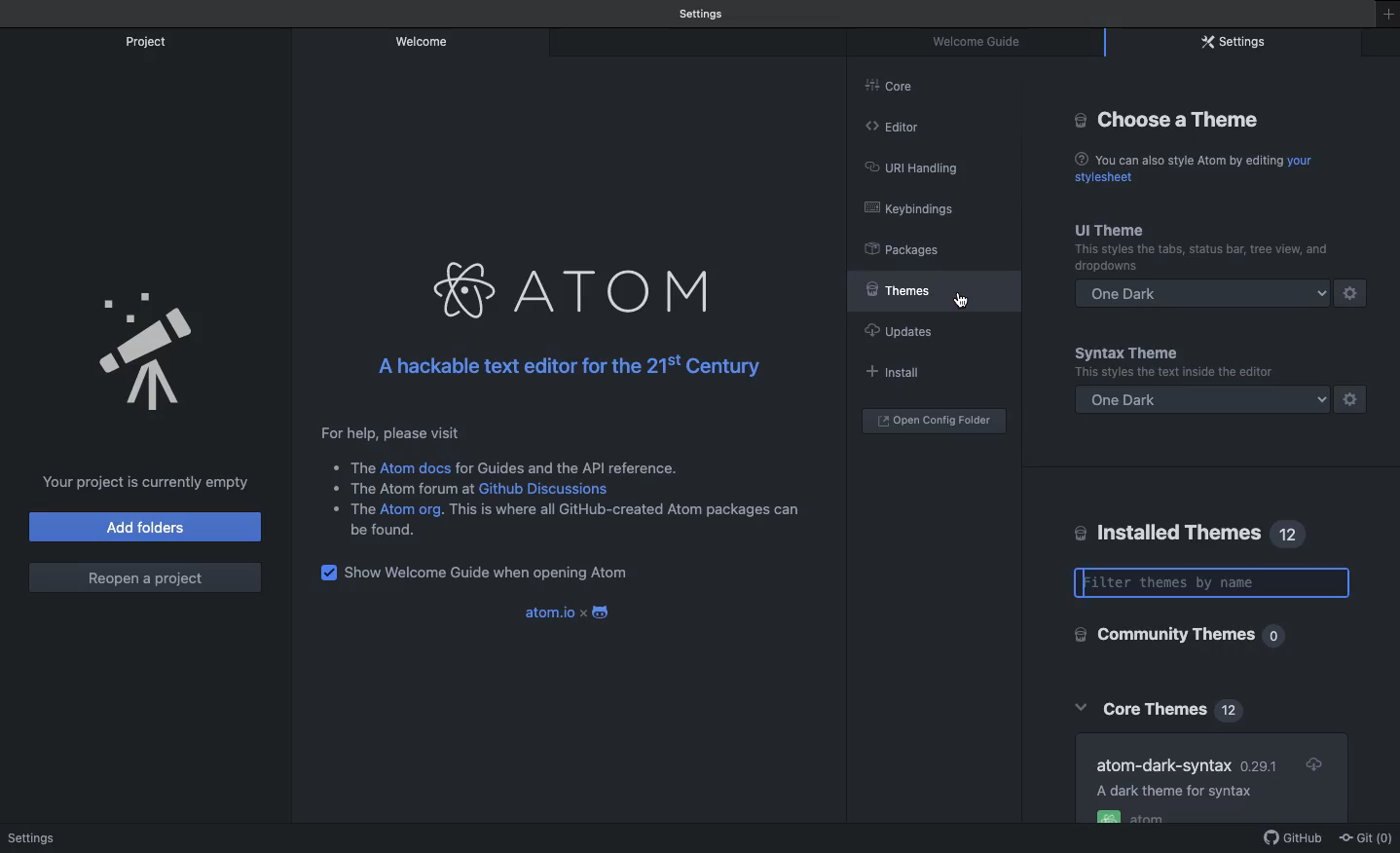  I want to click on Selected, so click(932, 291).